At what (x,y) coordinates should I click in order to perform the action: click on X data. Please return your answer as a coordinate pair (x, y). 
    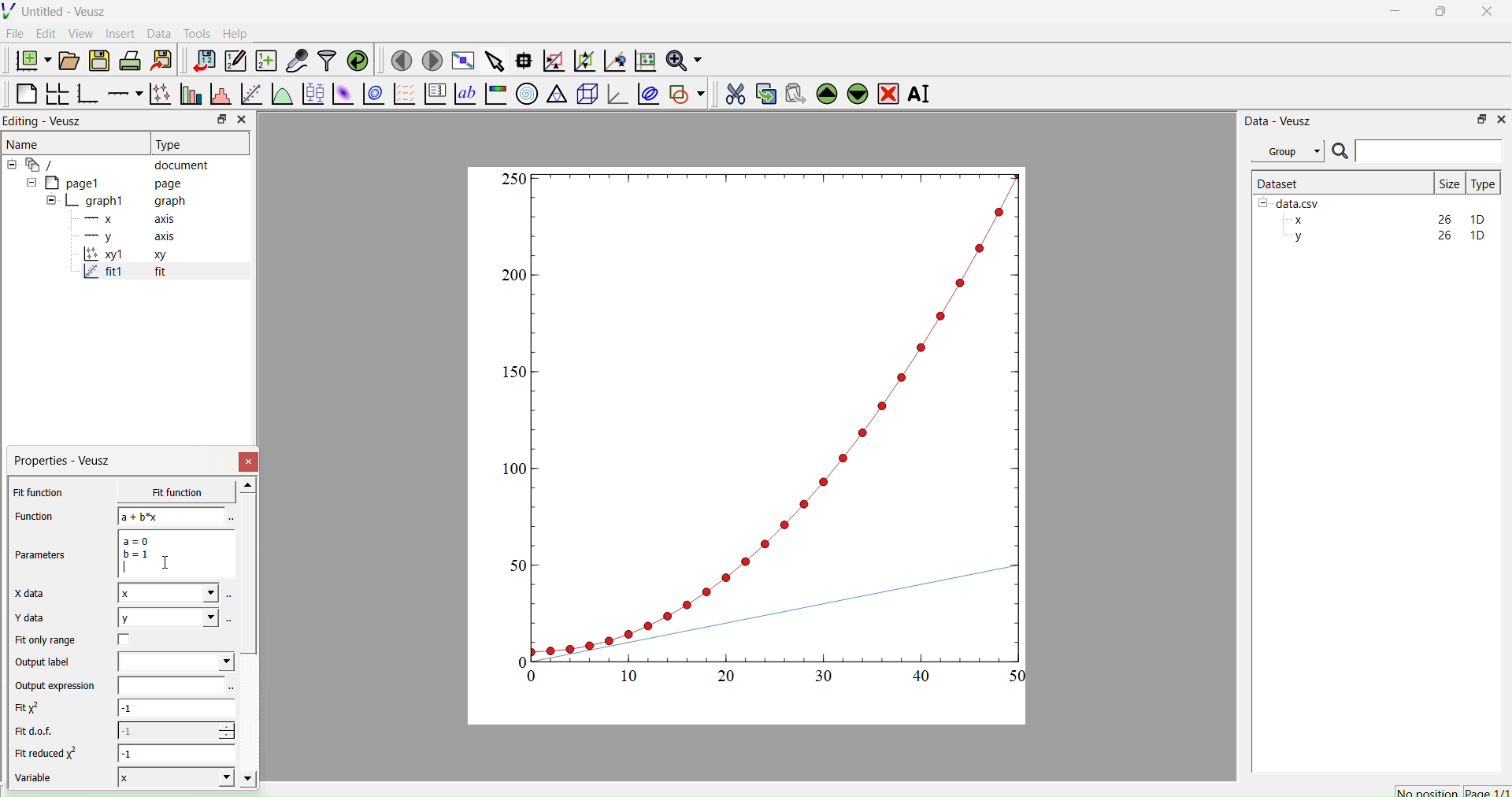
    Looking at the image, I should click on (33, 591).